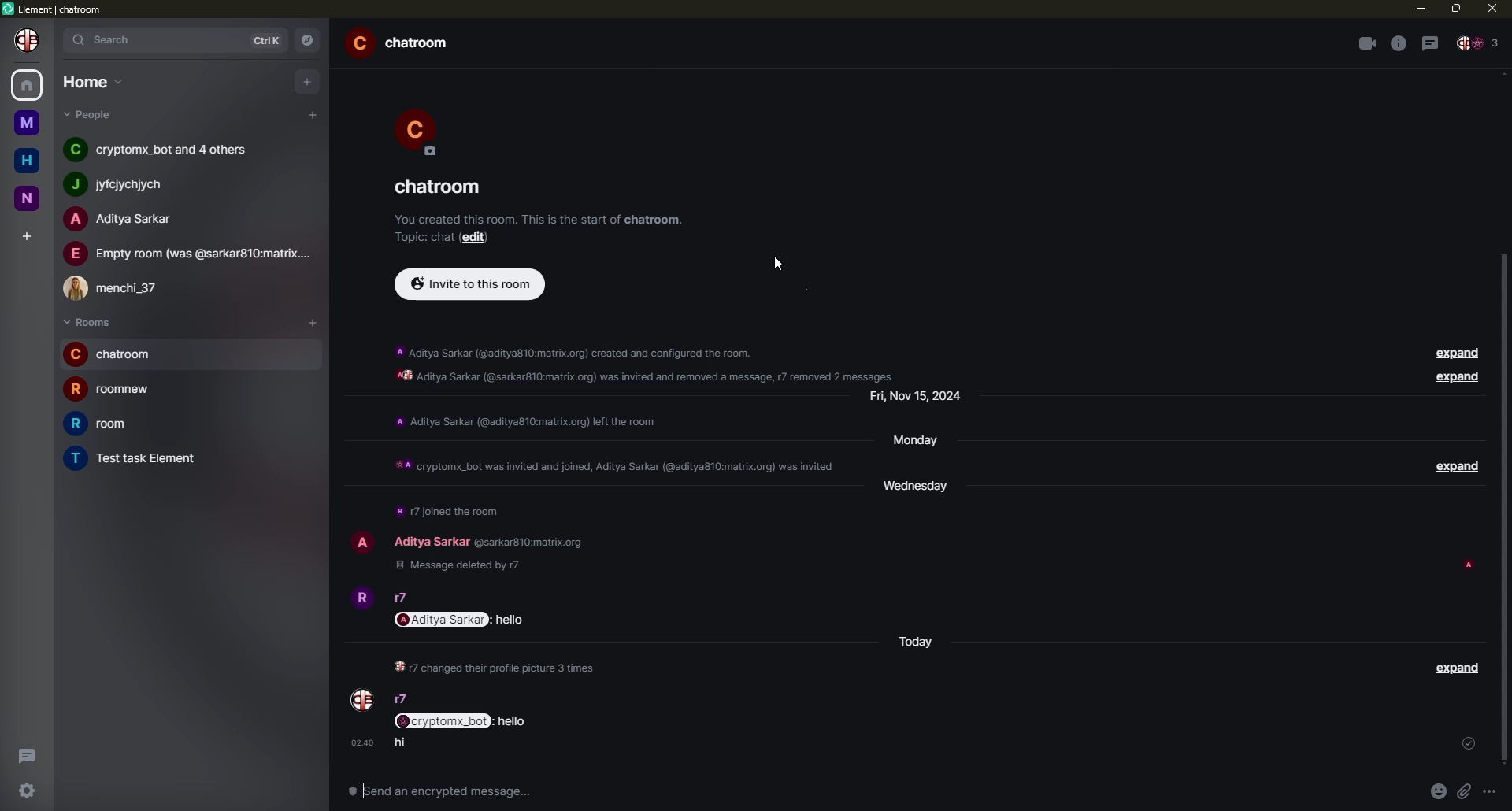 The height and width of the screenshot is (811, 1512). What do you see at coordinates (440, 185) in the screenshot?
I see `room` at bounding box center [440, 185].